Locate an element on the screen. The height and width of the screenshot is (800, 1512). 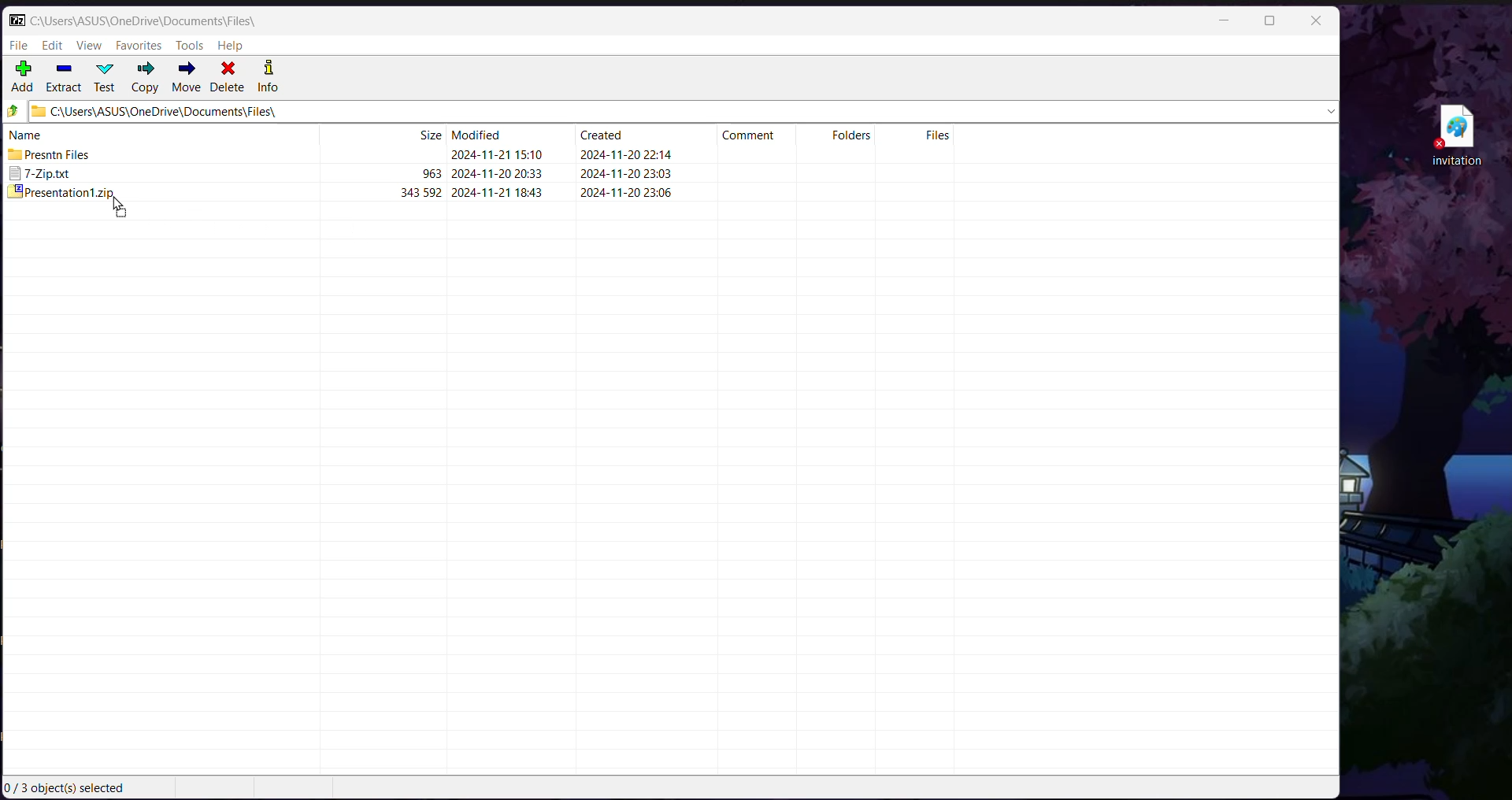
Delete is located at coordinates (229, 78).